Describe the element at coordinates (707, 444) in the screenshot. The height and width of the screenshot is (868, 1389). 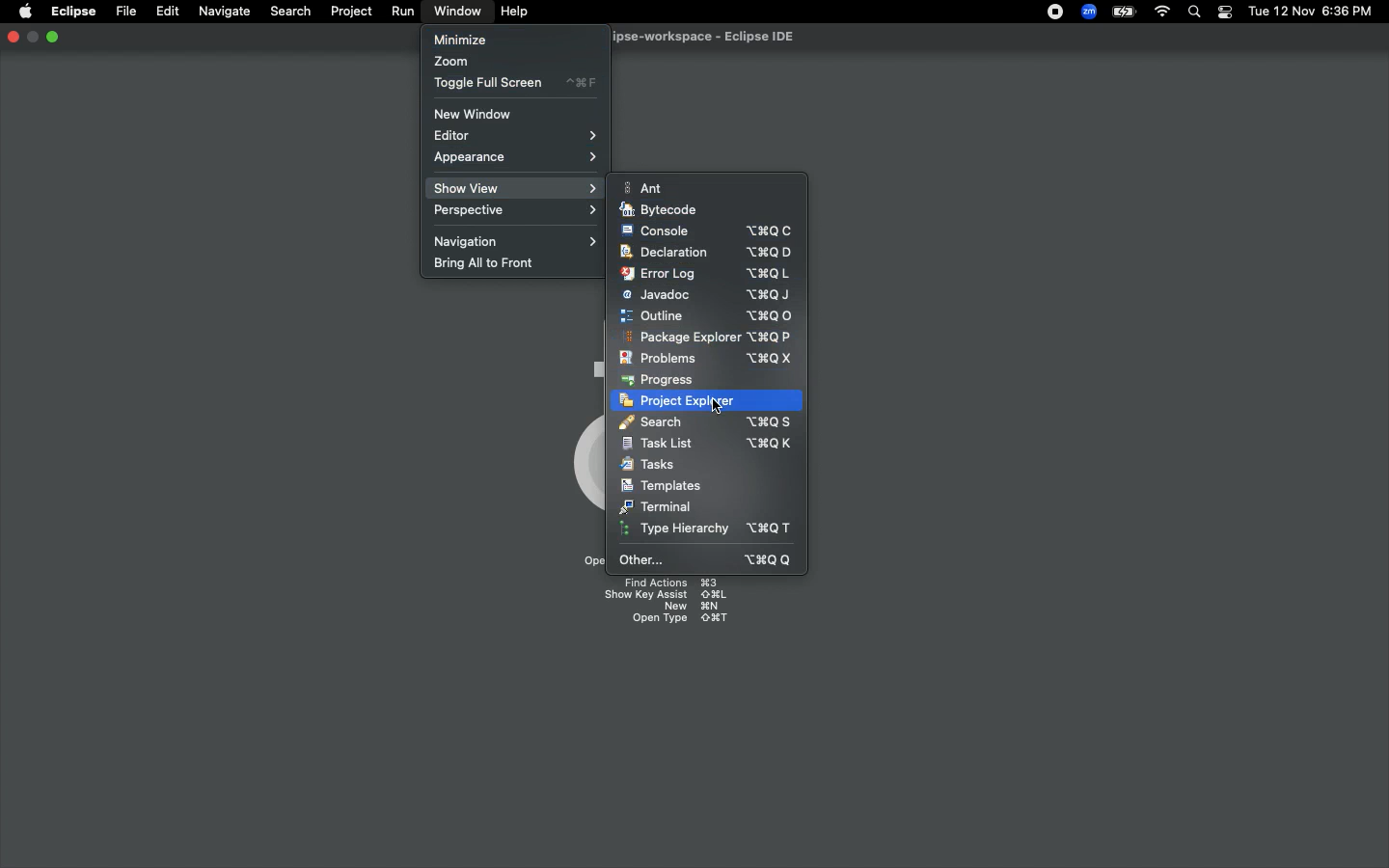
I see `Task list` at that location.